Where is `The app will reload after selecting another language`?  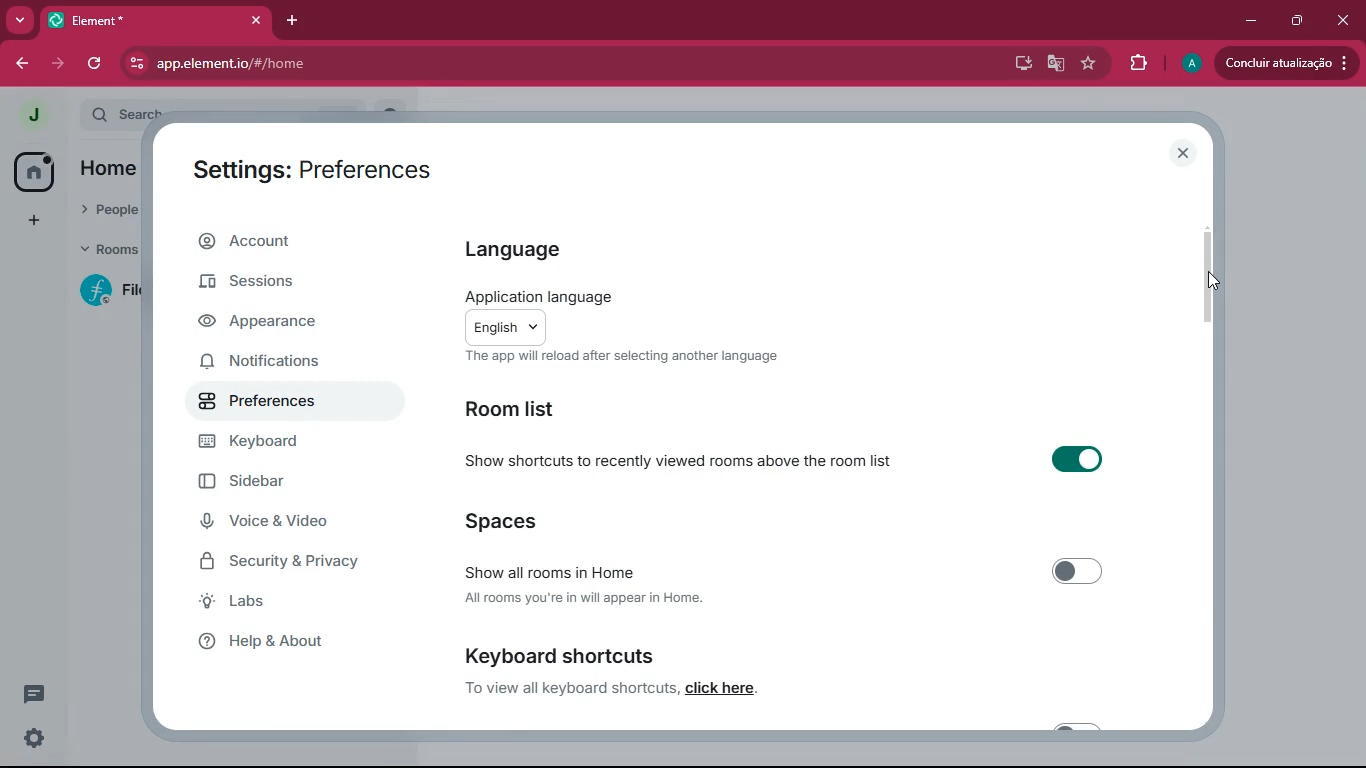 The app will reload after selecting another language is located at coordinates (627, 360).